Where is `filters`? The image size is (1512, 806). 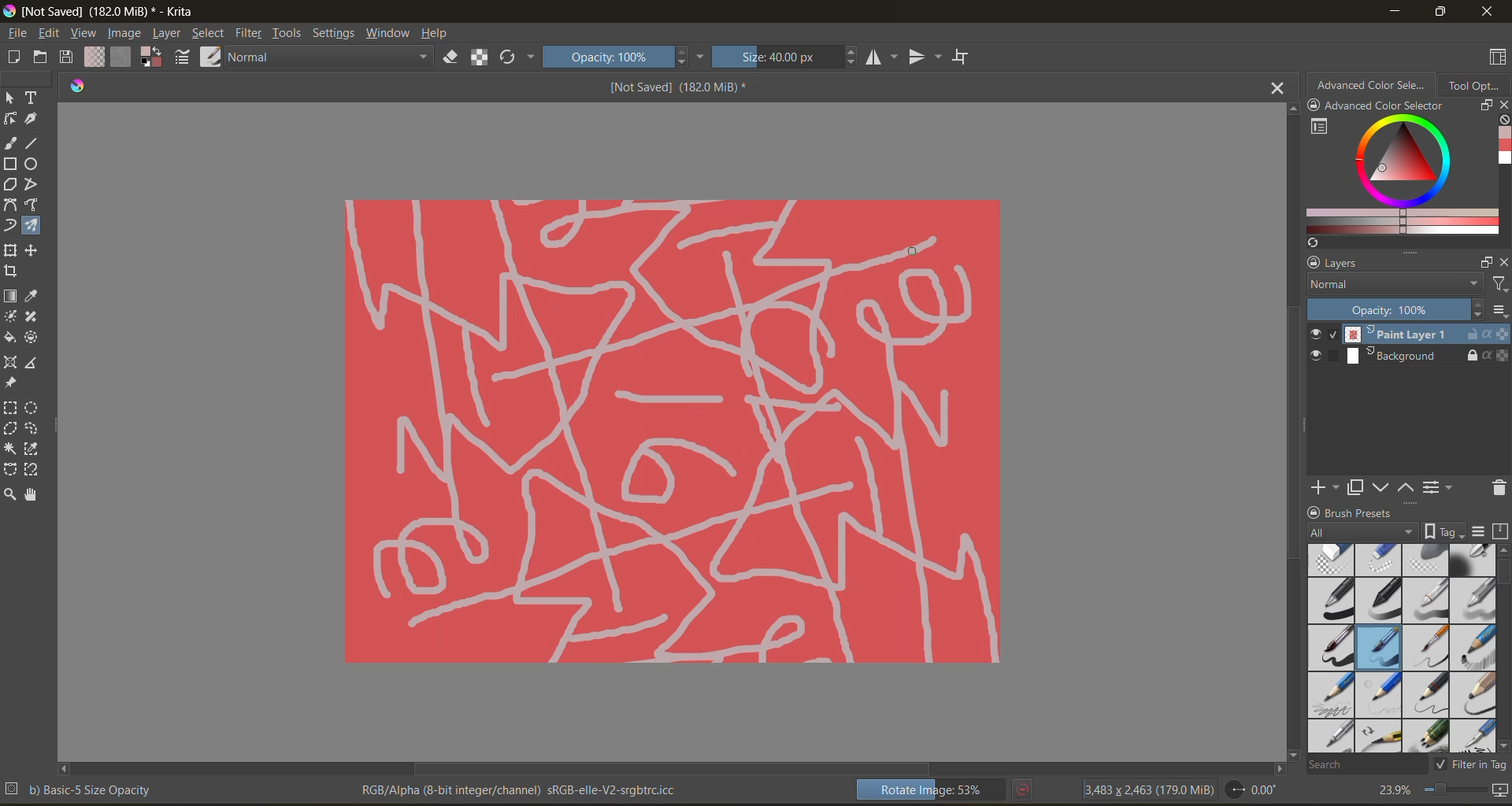
filters is located at coordinates (253, 35).